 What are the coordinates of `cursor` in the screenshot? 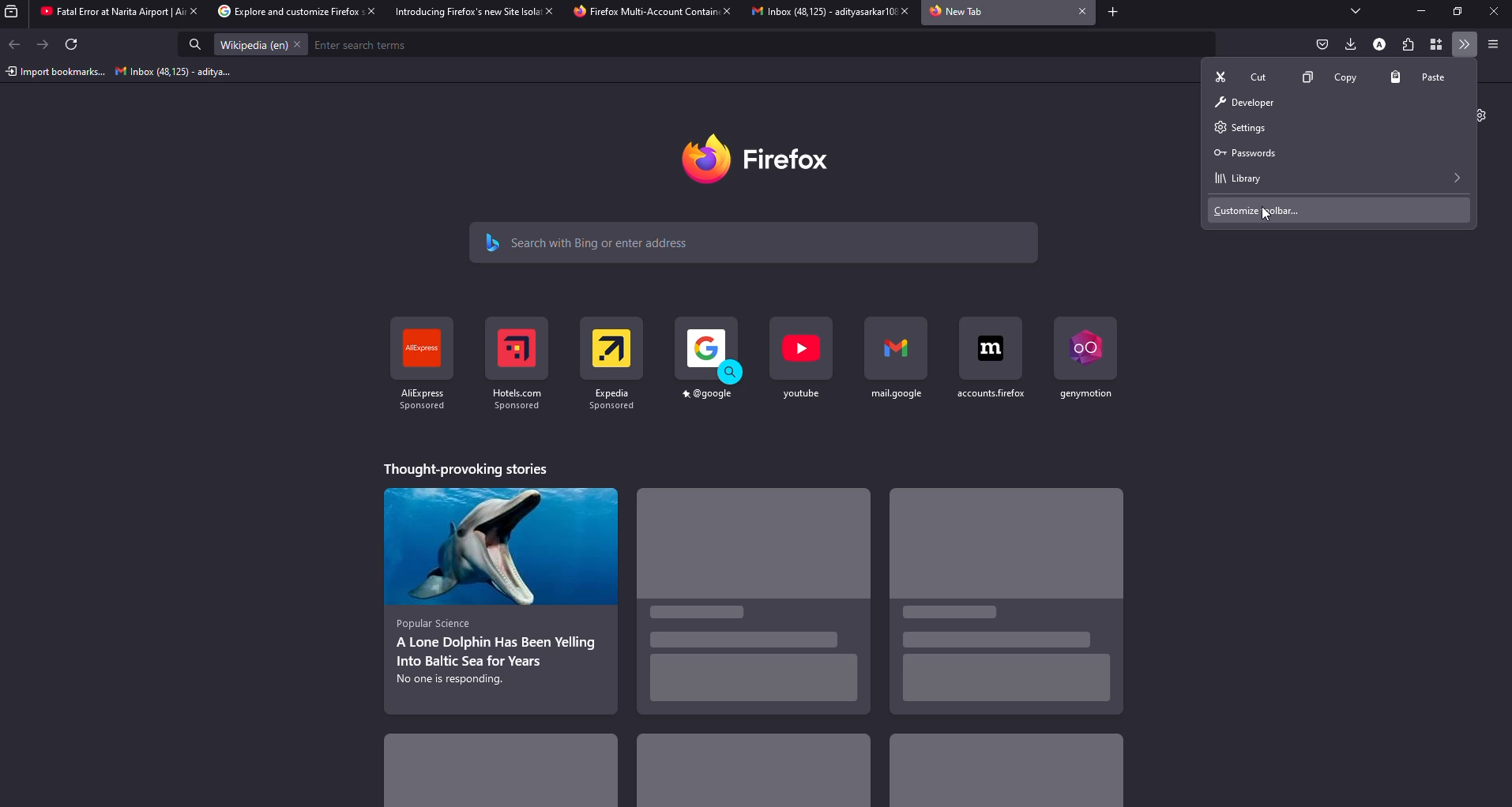 It's located at (1263, 215).